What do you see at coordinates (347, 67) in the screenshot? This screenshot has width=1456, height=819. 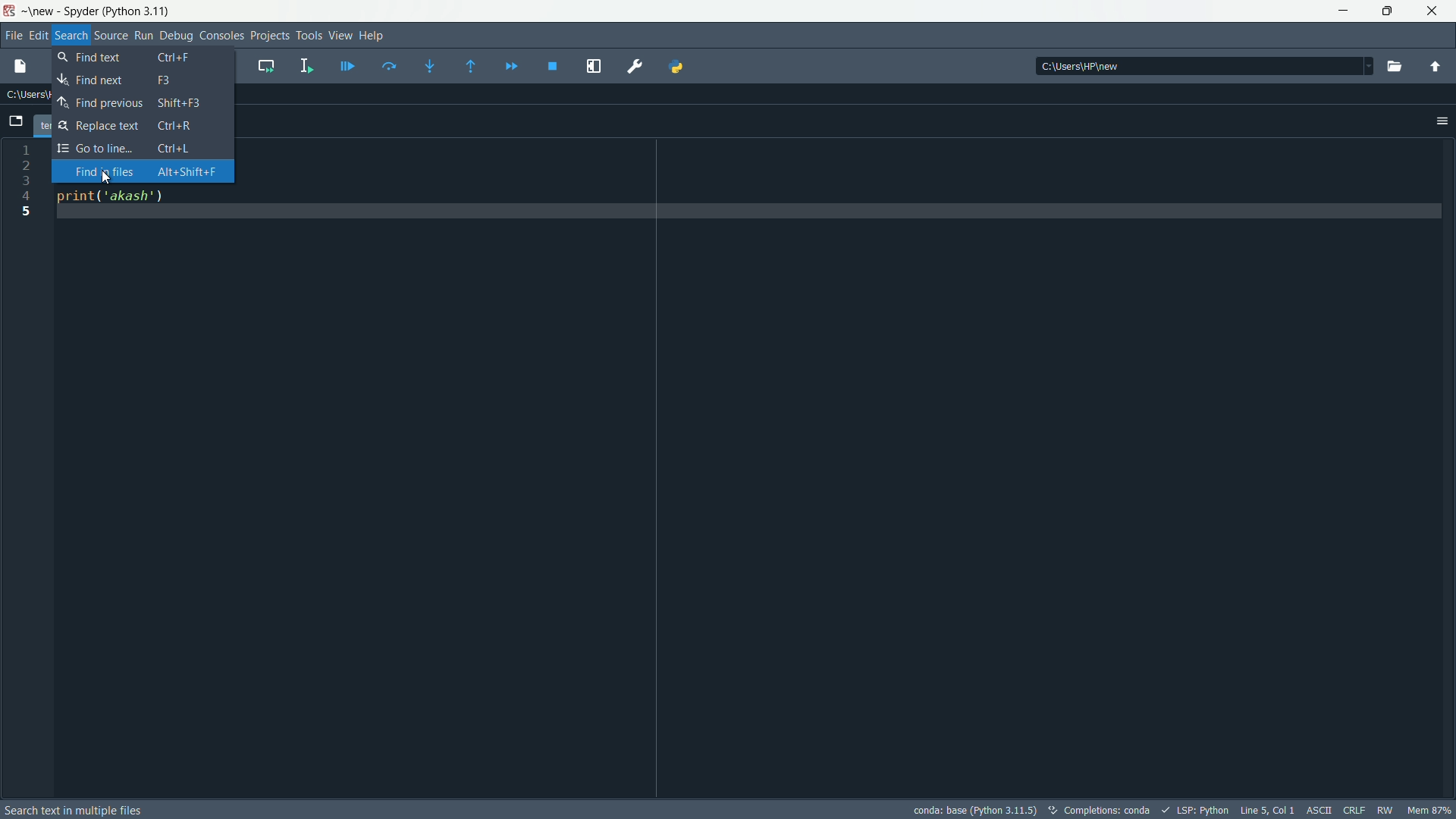 I see `debug file` at bounding box center [347, 67].